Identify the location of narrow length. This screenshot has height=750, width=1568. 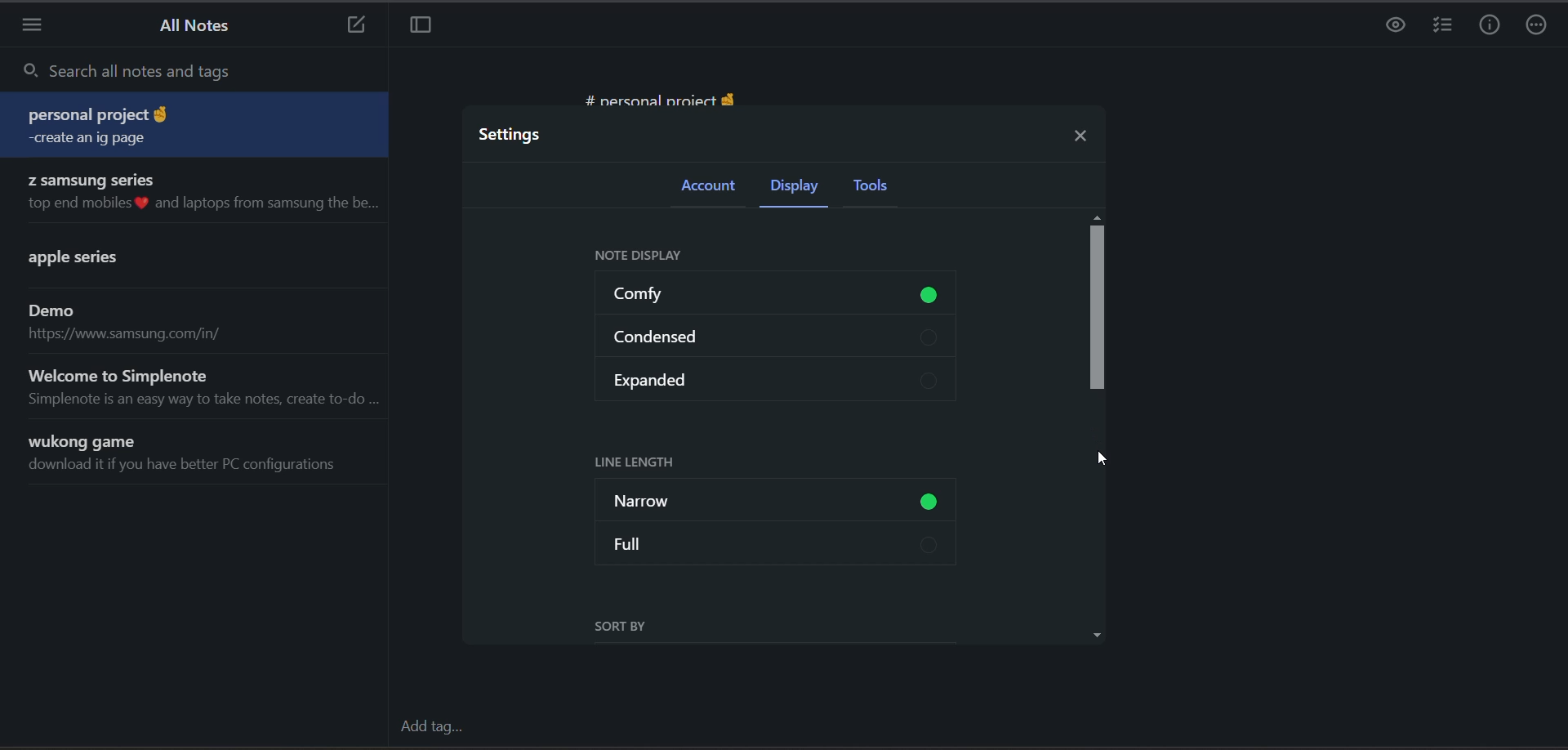
(778, 494).